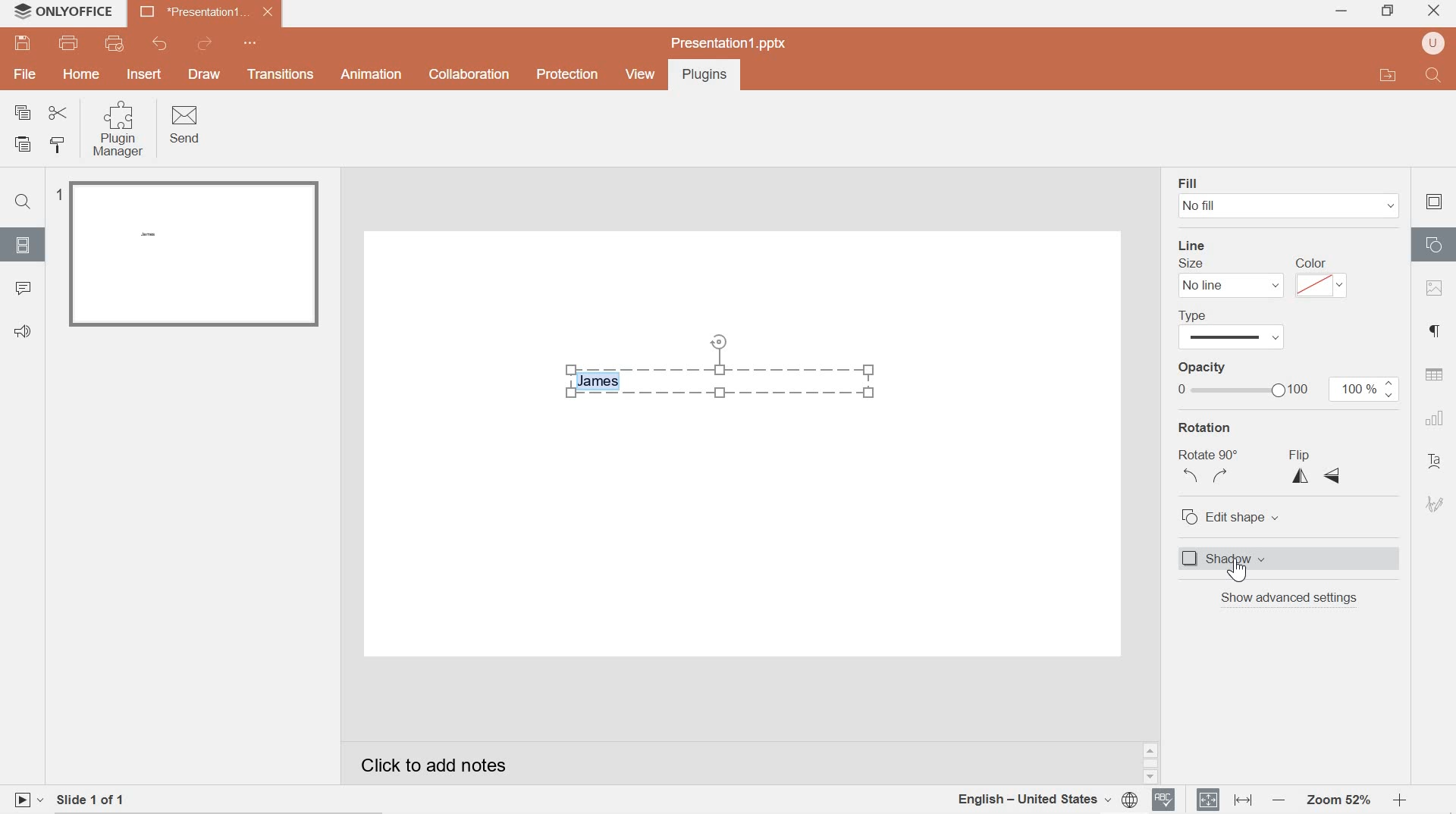 This screenshot has width=1456, height=814. Describe the element at coordinates (1287, 206) in the screenshot. I see `No fill` at that location.